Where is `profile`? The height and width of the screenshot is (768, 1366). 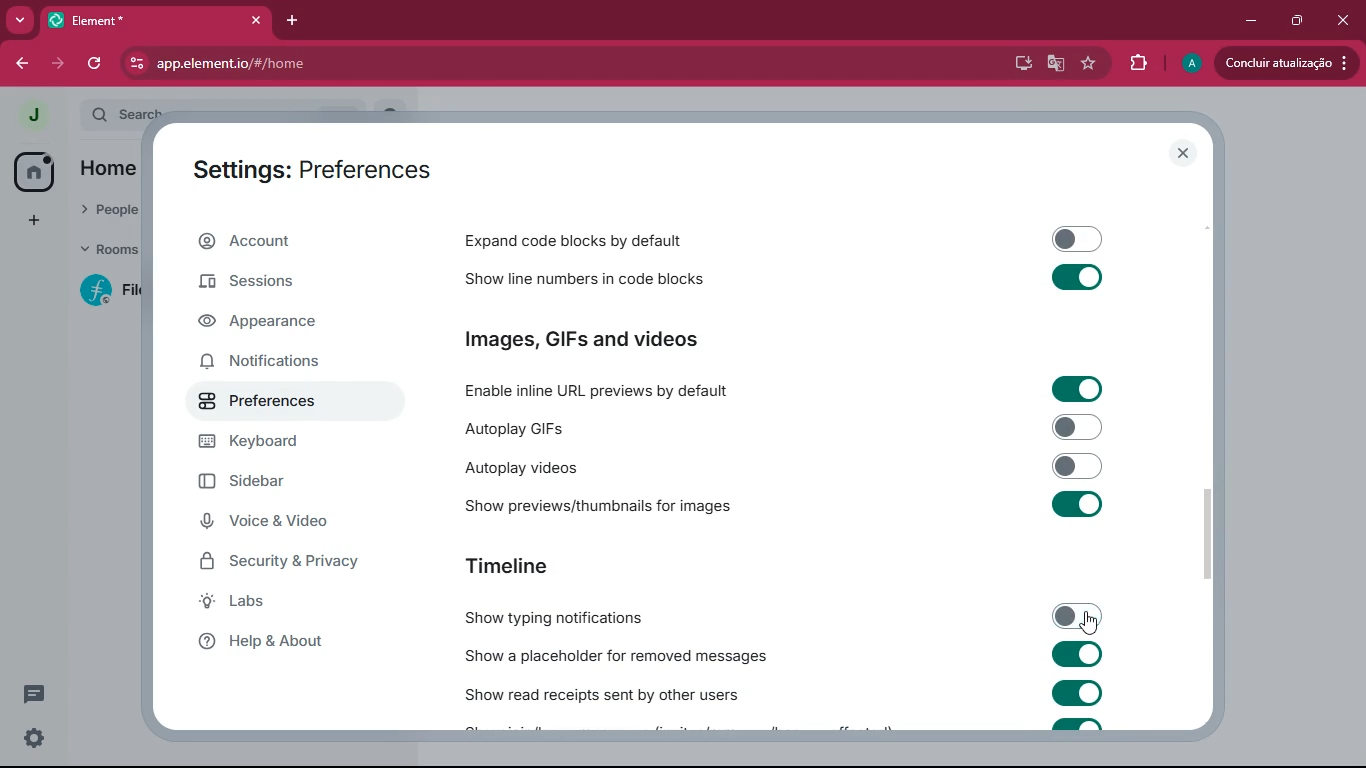
profile is located at coordinates (1188, 64).